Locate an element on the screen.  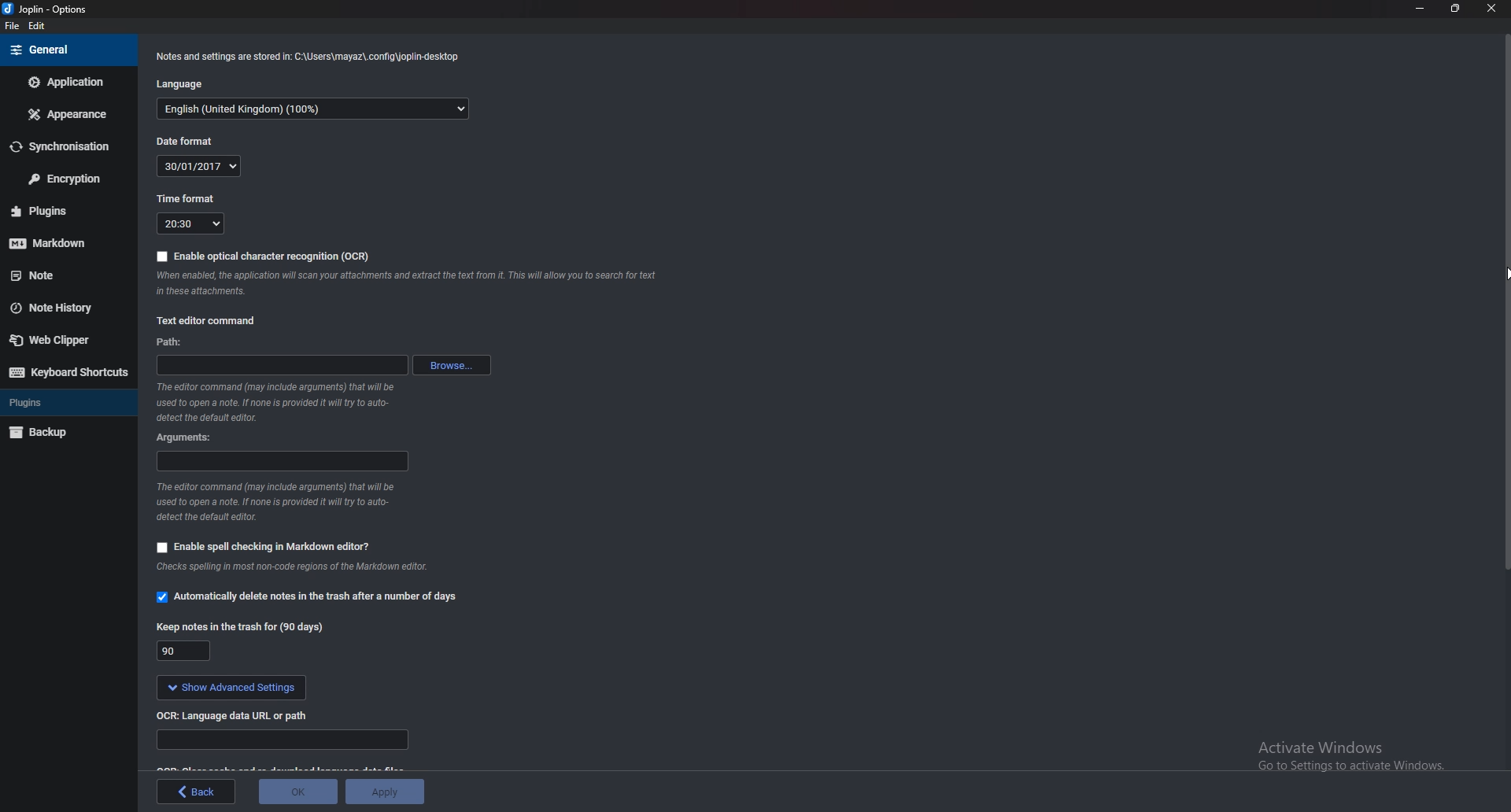
edit is located at coordinates (39, 26).